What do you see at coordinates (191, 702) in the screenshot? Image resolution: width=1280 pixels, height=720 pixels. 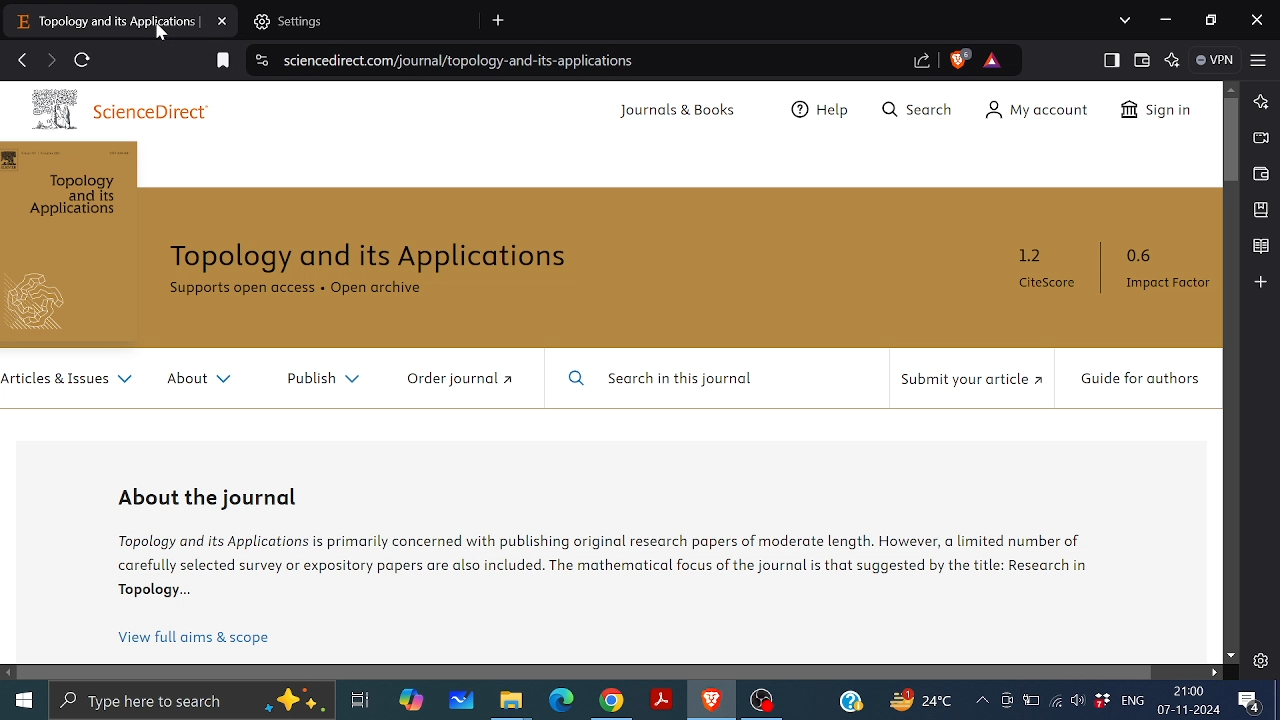 I see `Type here to search apps` at bounding box center [191, 702].